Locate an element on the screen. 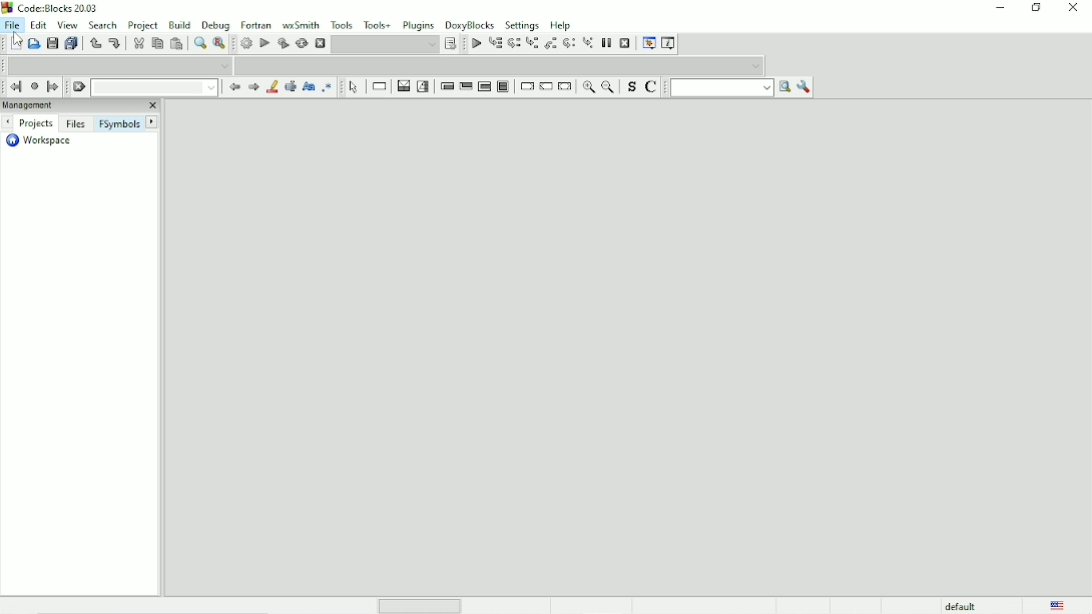 The width and height of the screenshot is (1092, 614). Abort is located at coordinates (79, 87).